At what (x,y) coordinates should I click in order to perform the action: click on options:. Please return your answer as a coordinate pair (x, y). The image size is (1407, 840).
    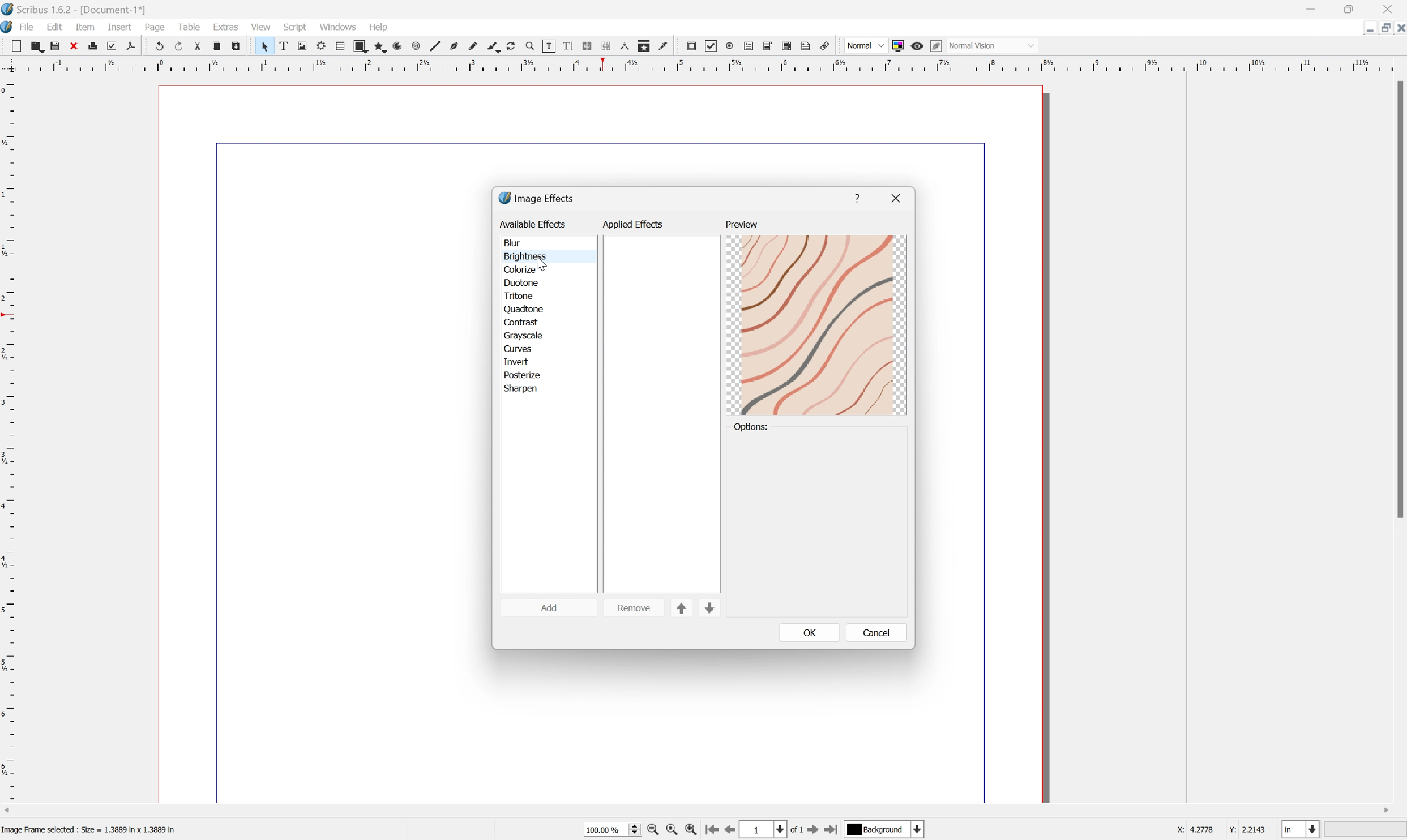
    Looking at the image, I should click on (752, 429).